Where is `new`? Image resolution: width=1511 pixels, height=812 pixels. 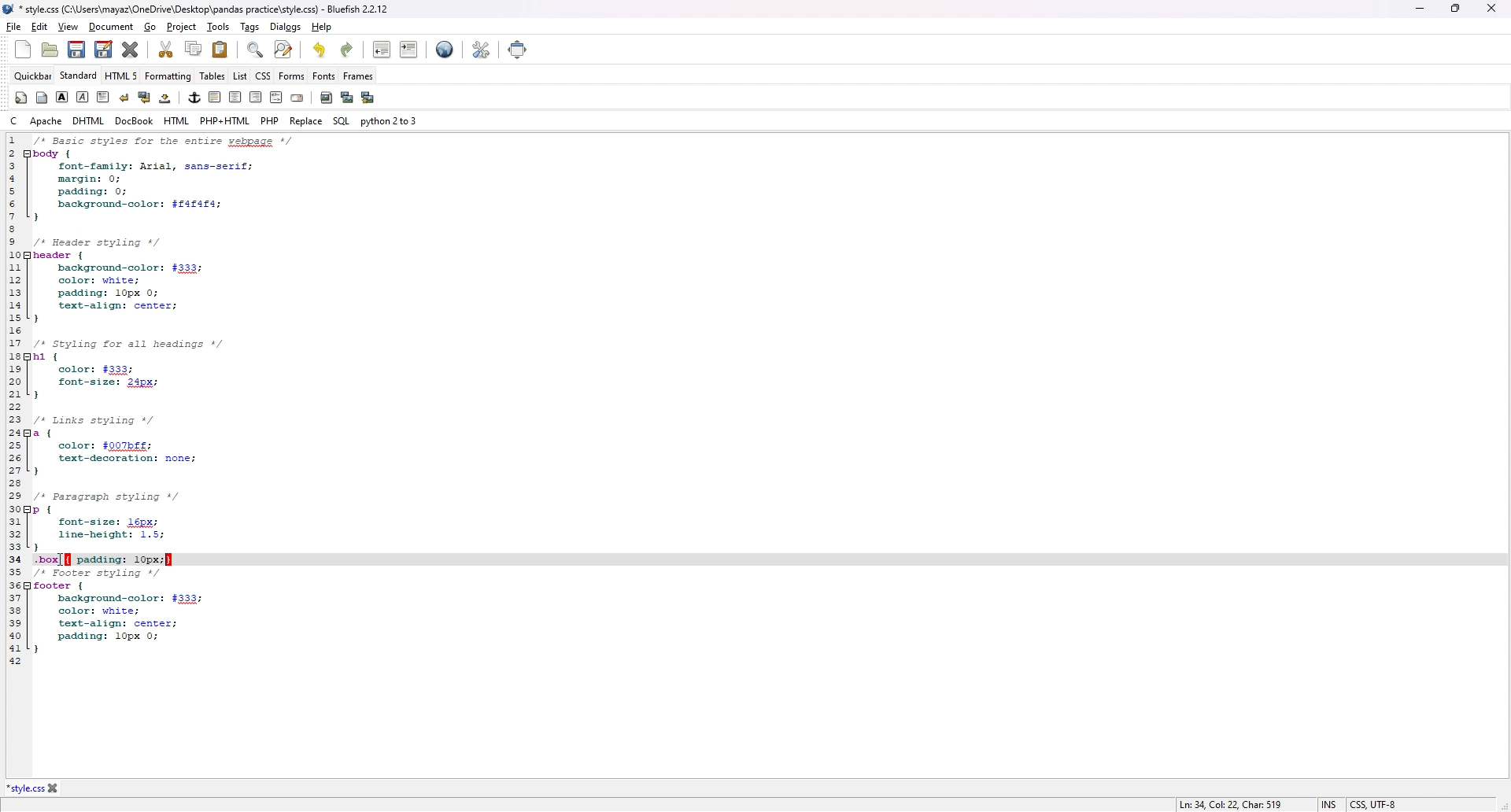
new is located at coordinates (24, 49).